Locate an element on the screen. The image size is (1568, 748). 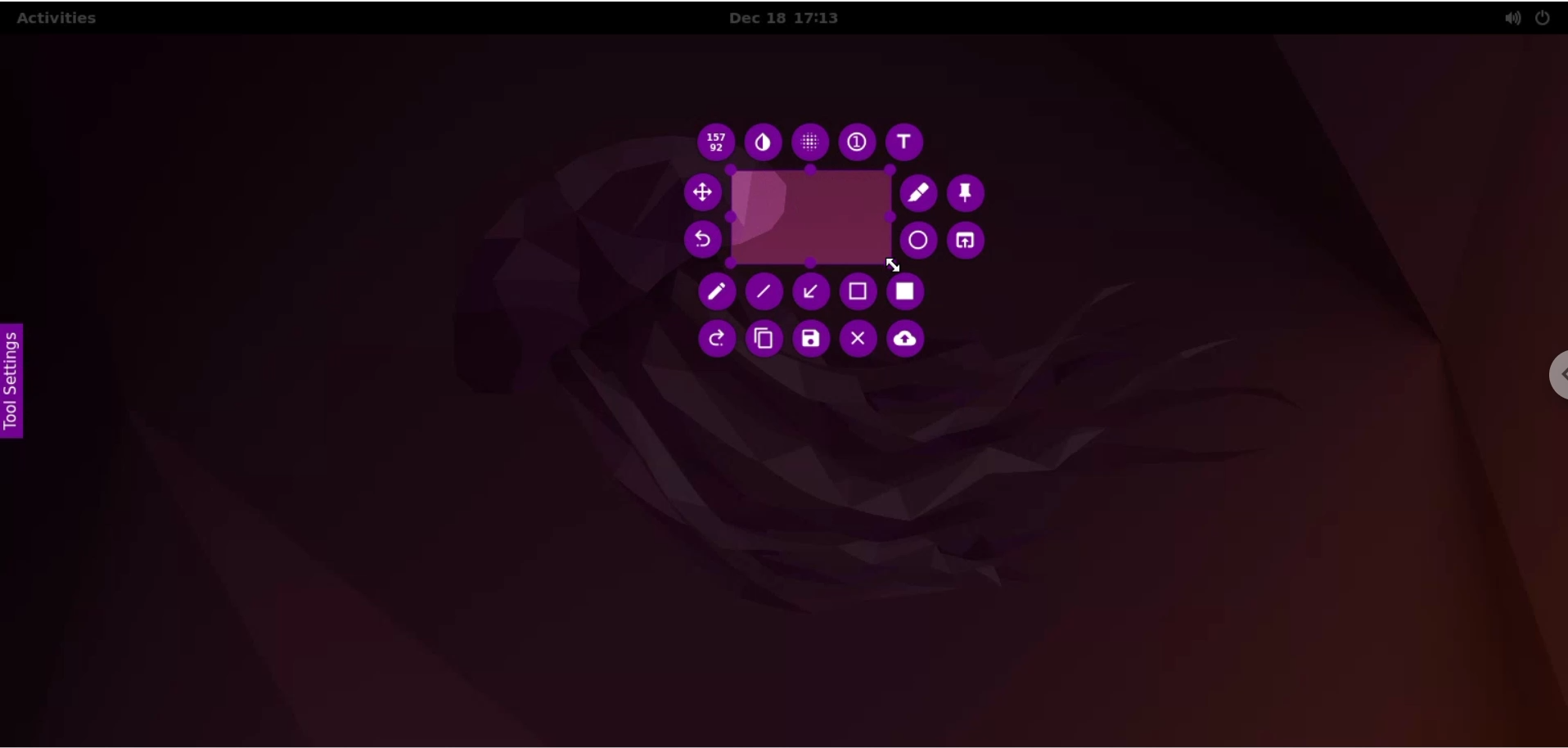
auto incrementing  is located at coordinates (862, 142).